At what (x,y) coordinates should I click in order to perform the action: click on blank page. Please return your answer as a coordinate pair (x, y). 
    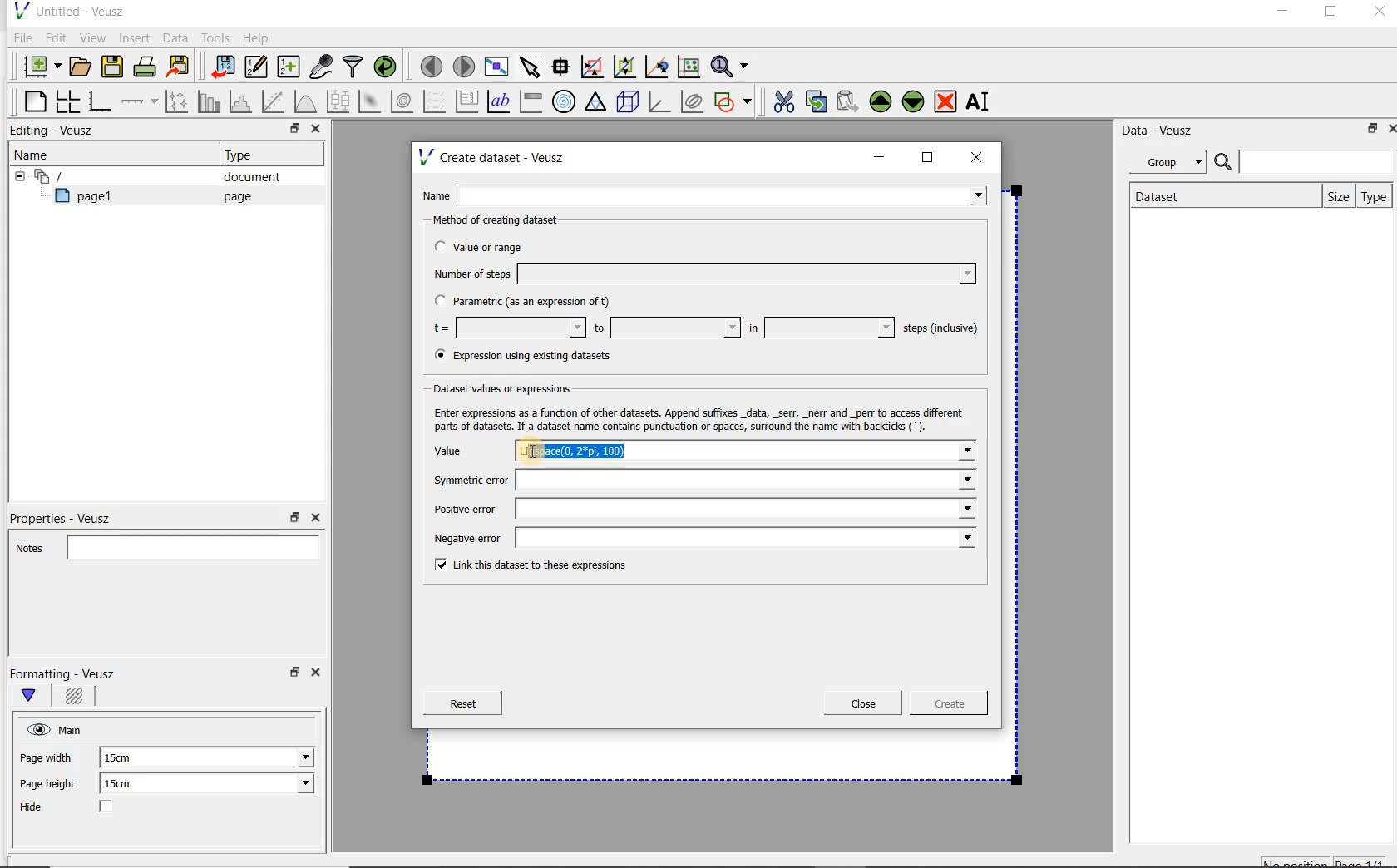
    Looking at the image, I should click on (32, 99).